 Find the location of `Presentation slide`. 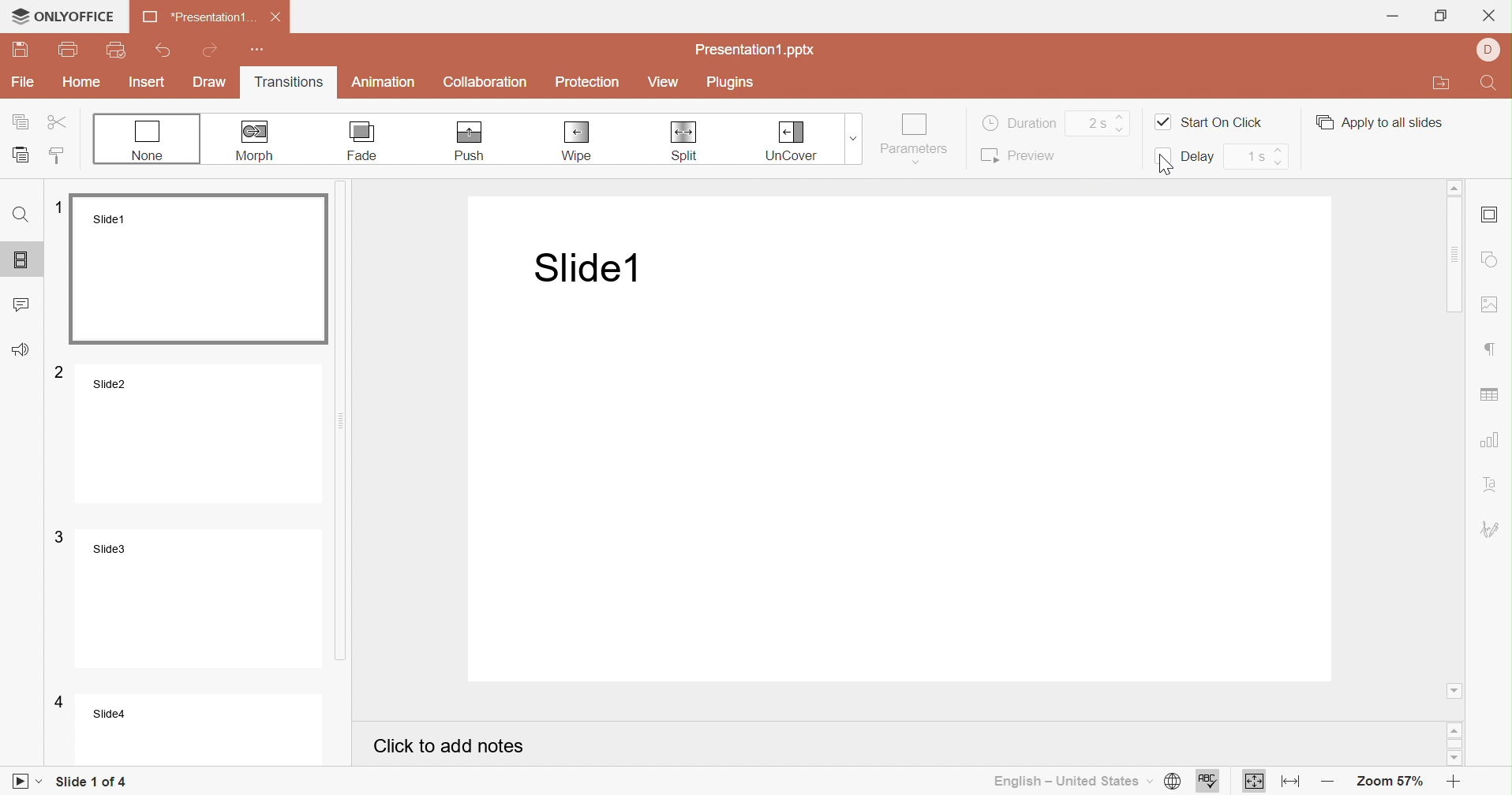

Presentation slide is located at coordinates (908, 441).